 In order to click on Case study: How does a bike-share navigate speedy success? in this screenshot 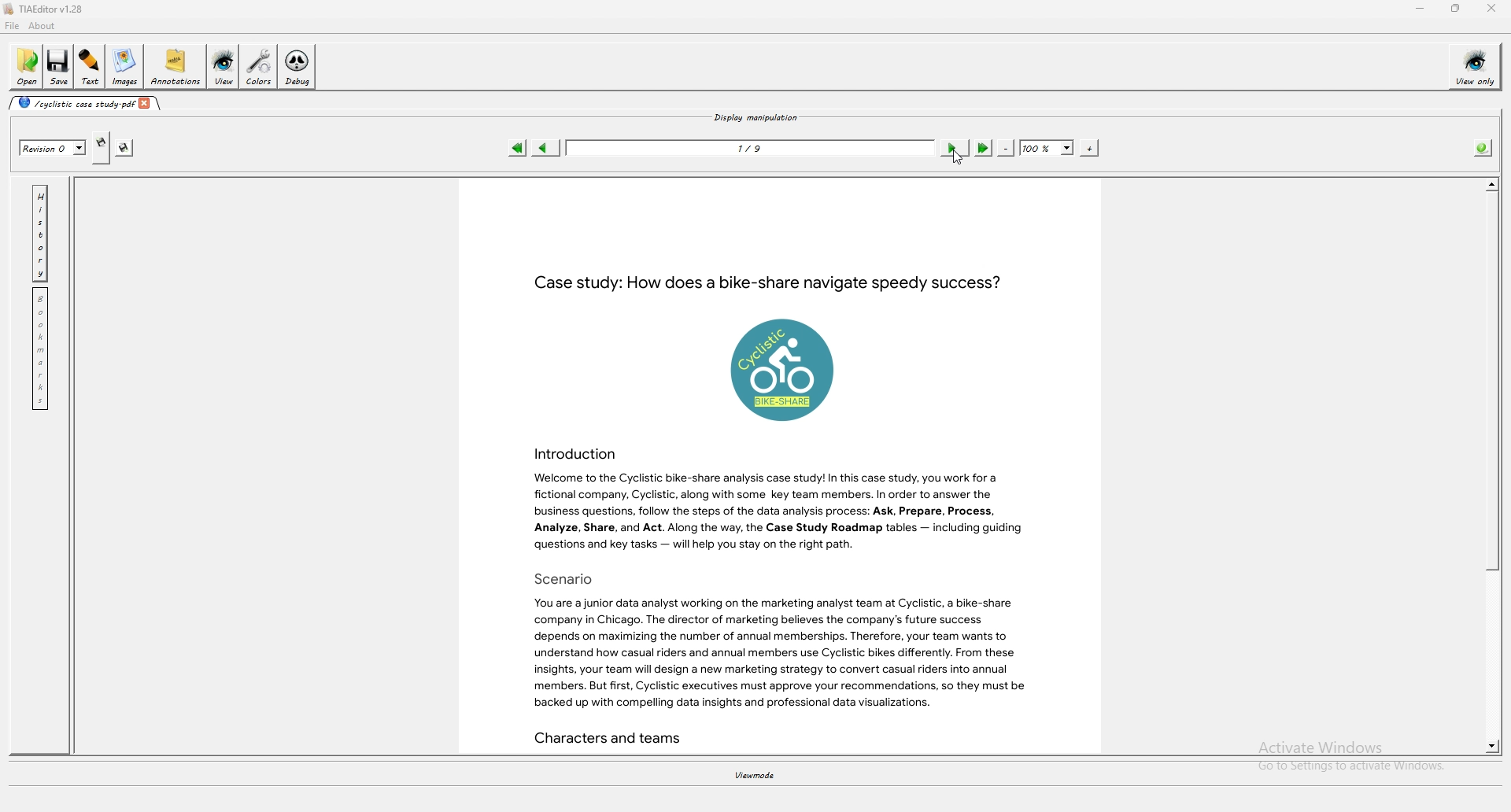, I will do `click(770, 285)`.